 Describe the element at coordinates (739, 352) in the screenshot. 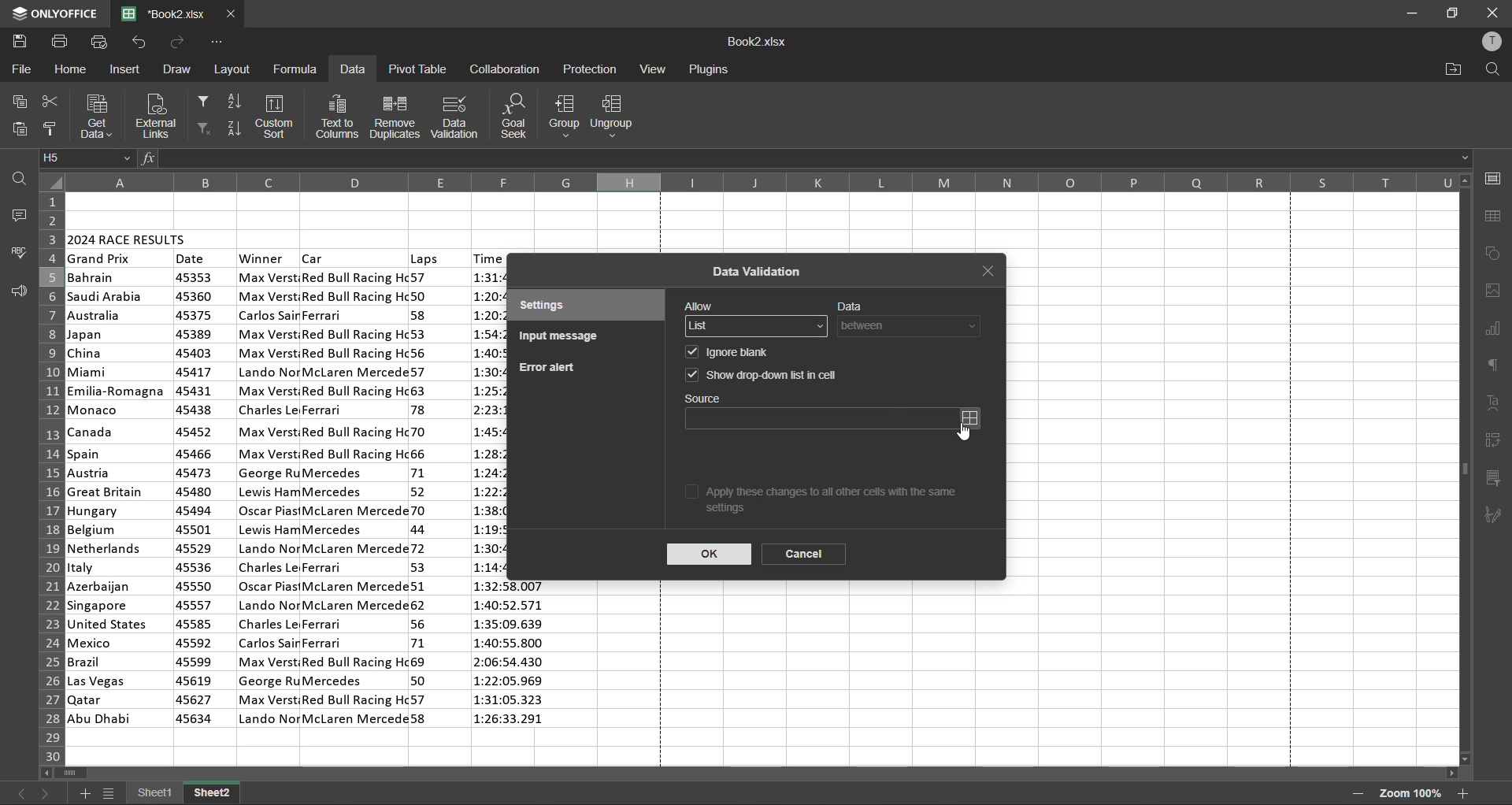

I see `ignore blank` at that location.